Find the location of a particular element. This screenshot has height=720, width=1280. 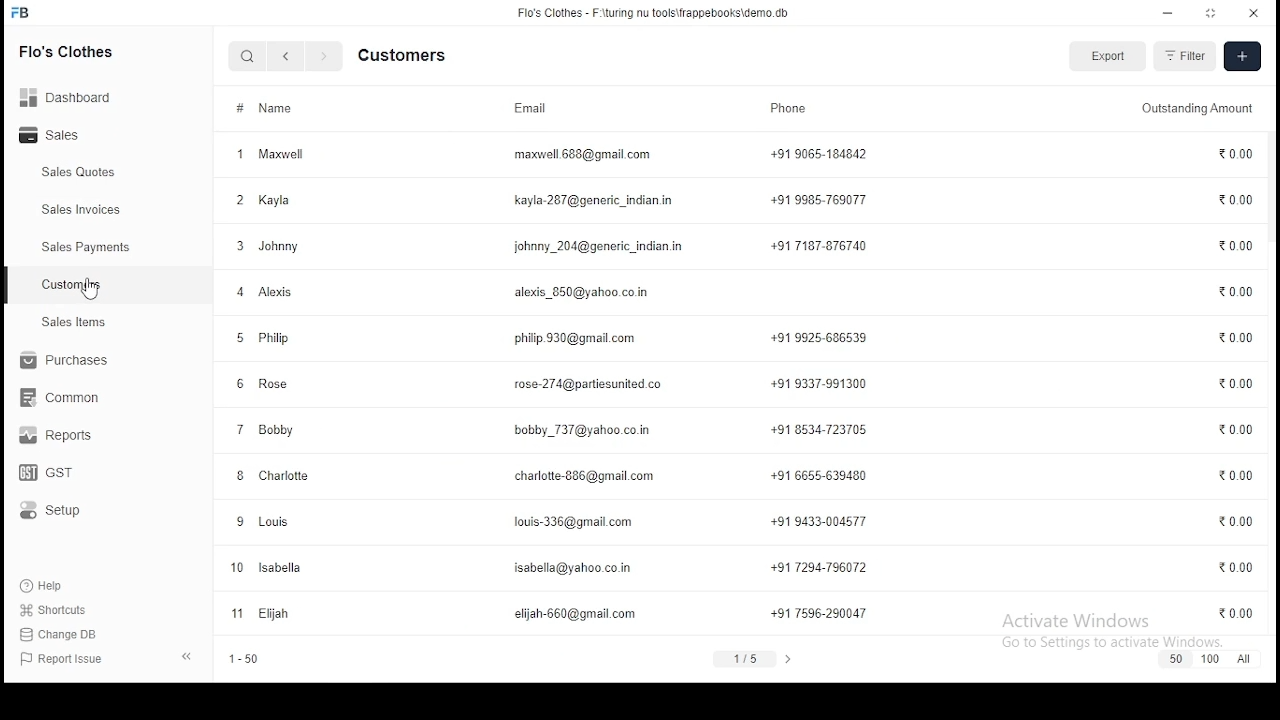

Rose is located at coordinates (275, 383).